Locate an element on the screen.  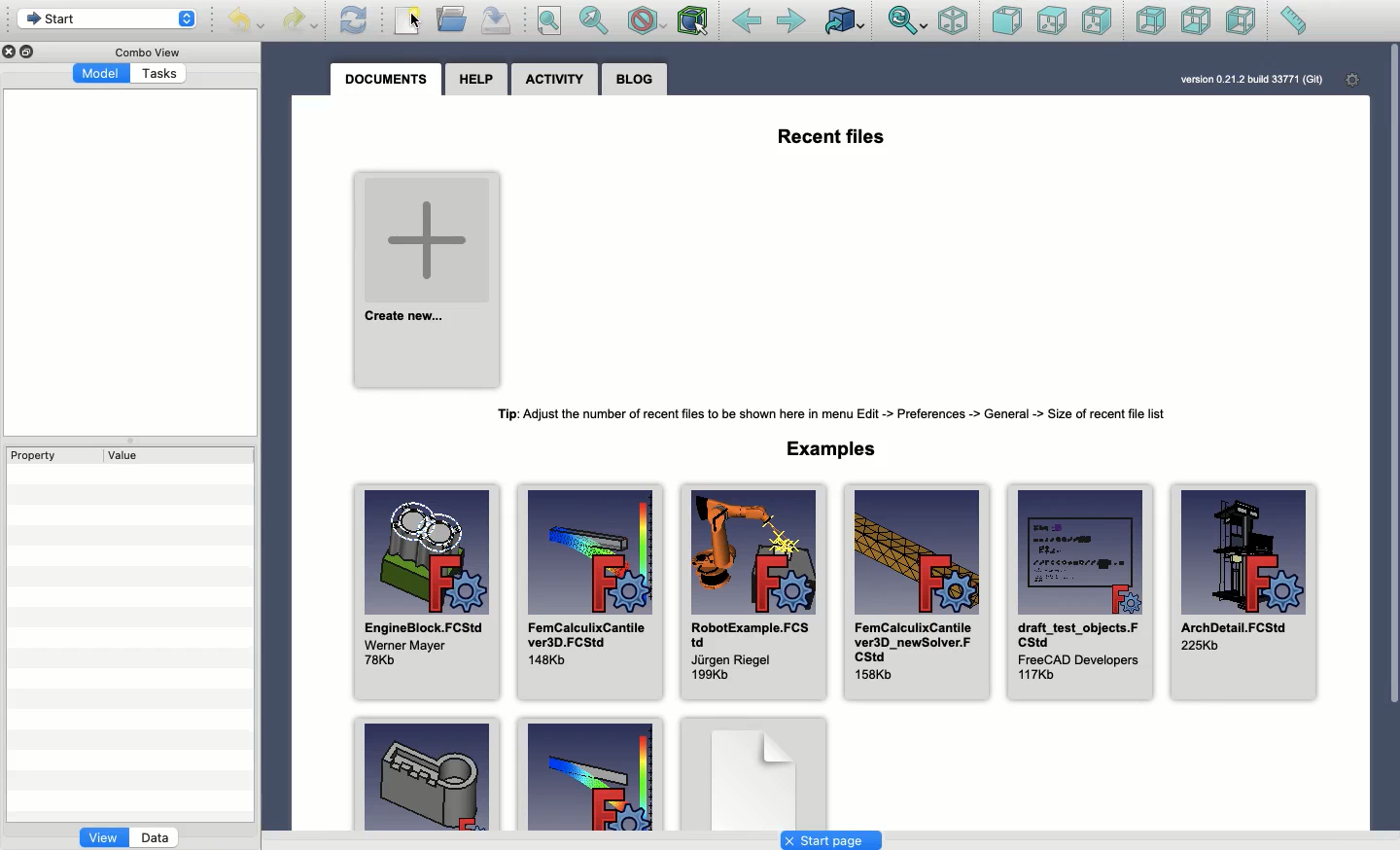
Bounding box is located at coordinates (695, 22).